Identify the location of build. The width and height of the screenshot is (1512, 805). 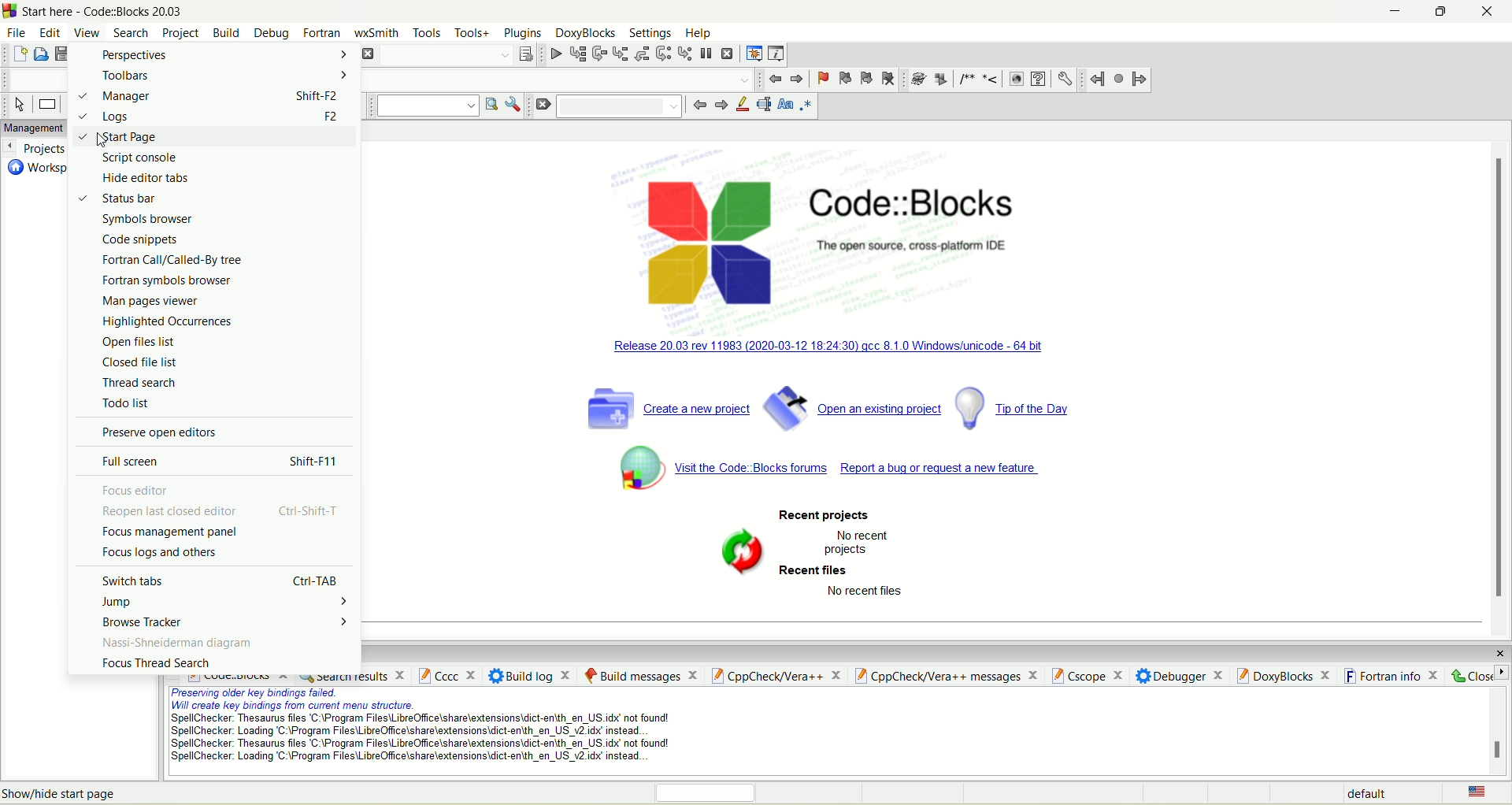
(226, 32).